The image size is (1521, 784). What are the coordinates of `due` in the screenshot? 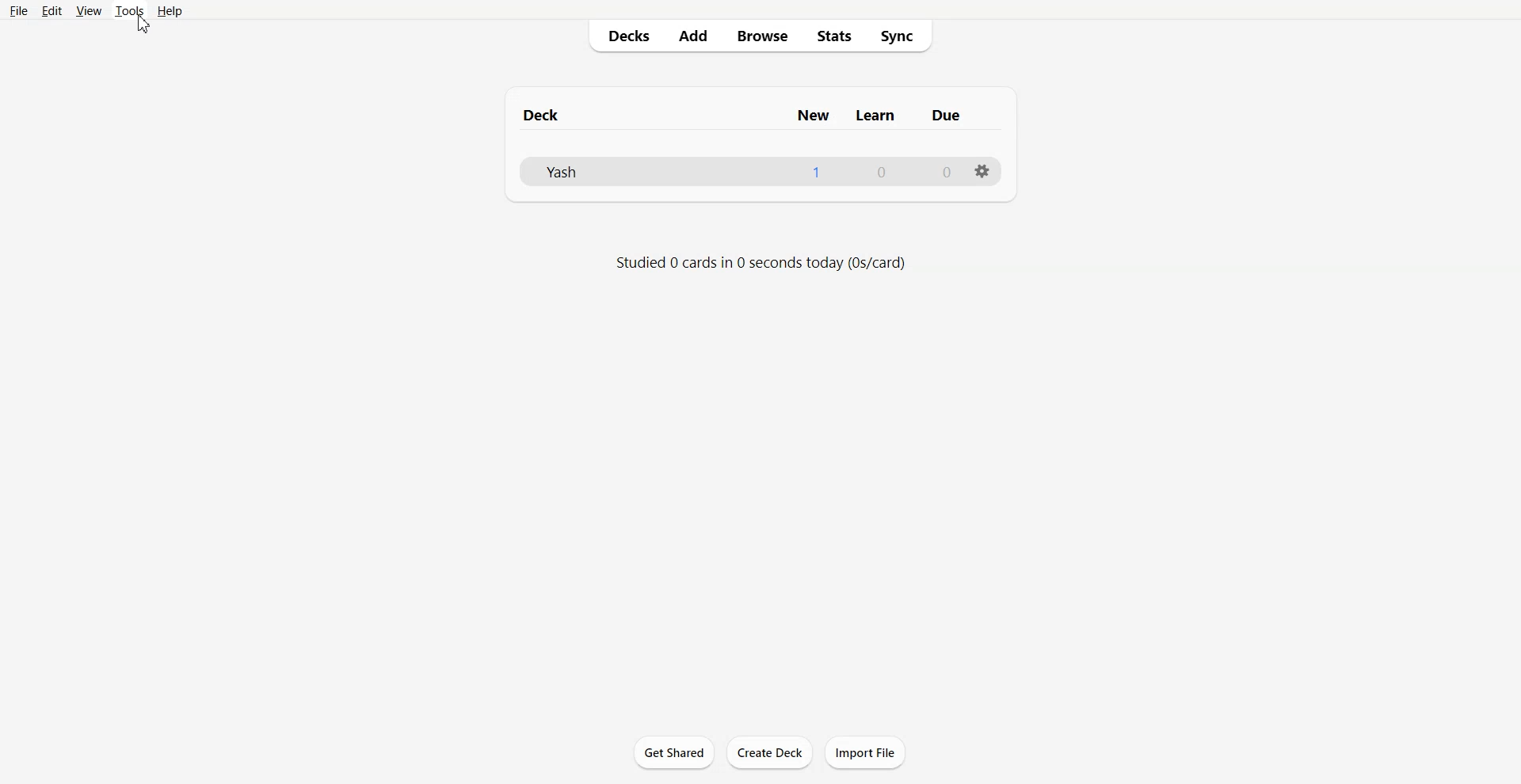 It's located at (946, 116).